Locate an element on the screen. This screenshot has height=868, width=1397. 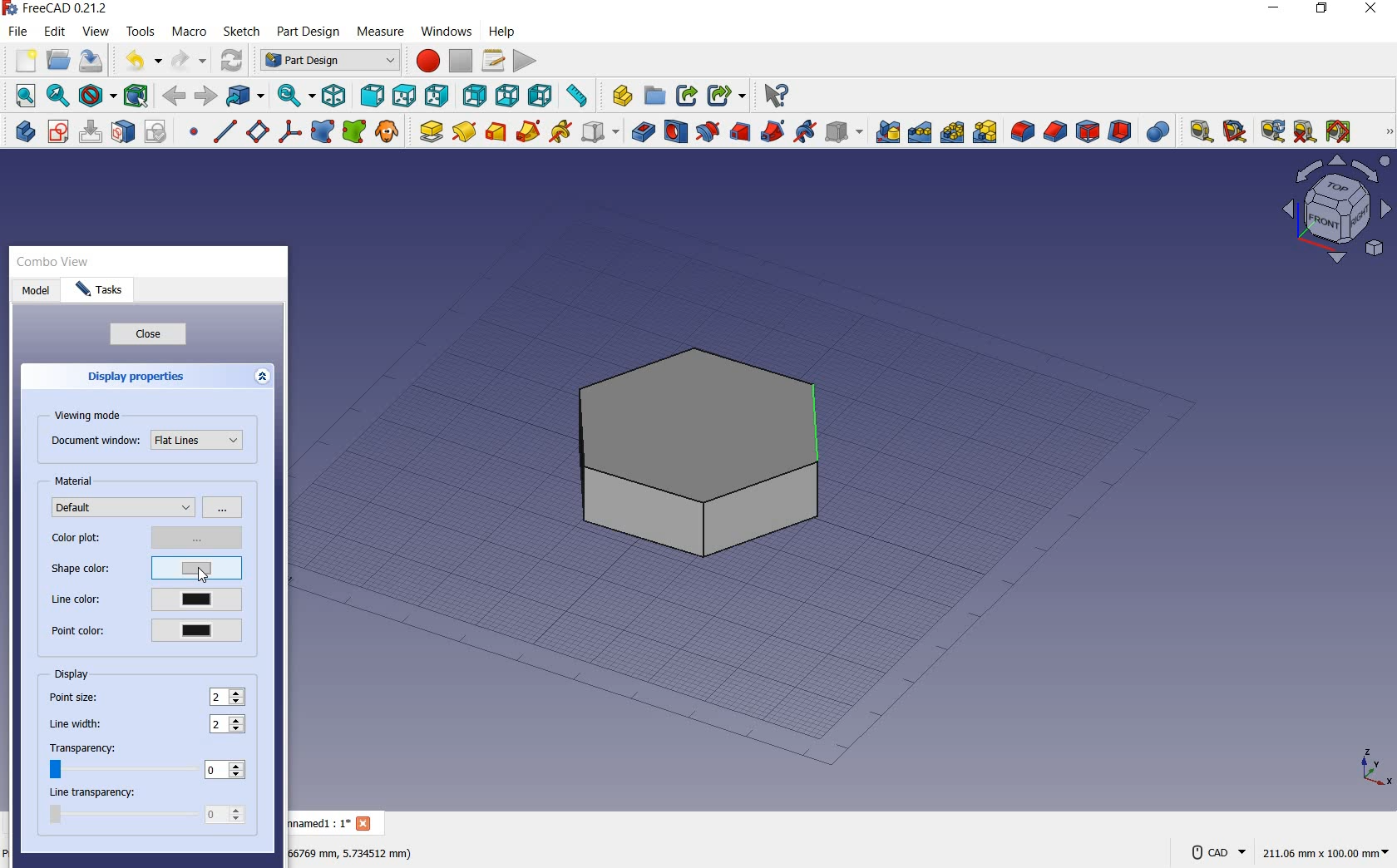
x, y, z points is located at coordinates (1374, 773).